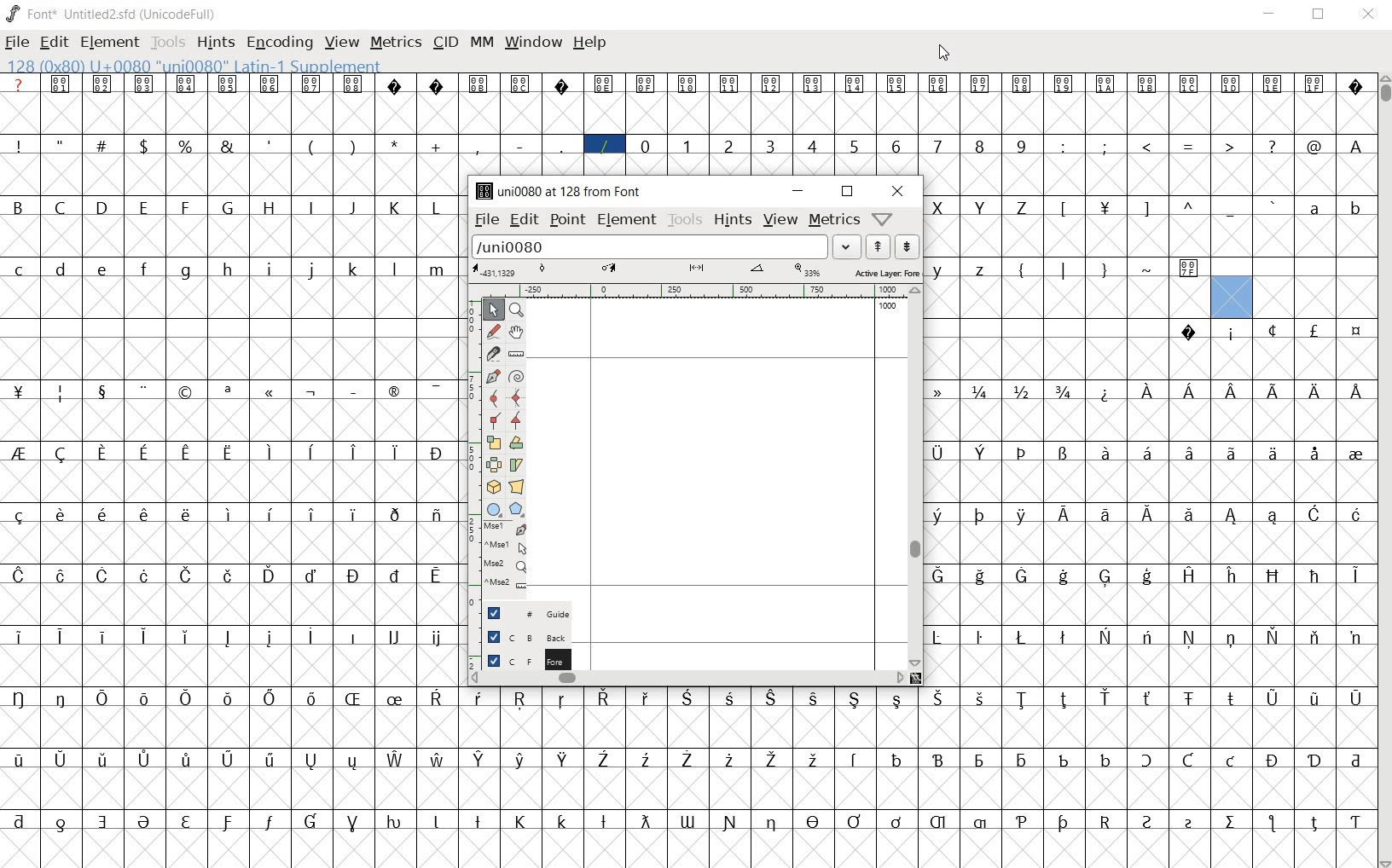 Image resolution: width=1392 pixels, height=868 pixels. Describe the element at coordinates (145, 391) in the screenshot. I see `glyph` at that location.